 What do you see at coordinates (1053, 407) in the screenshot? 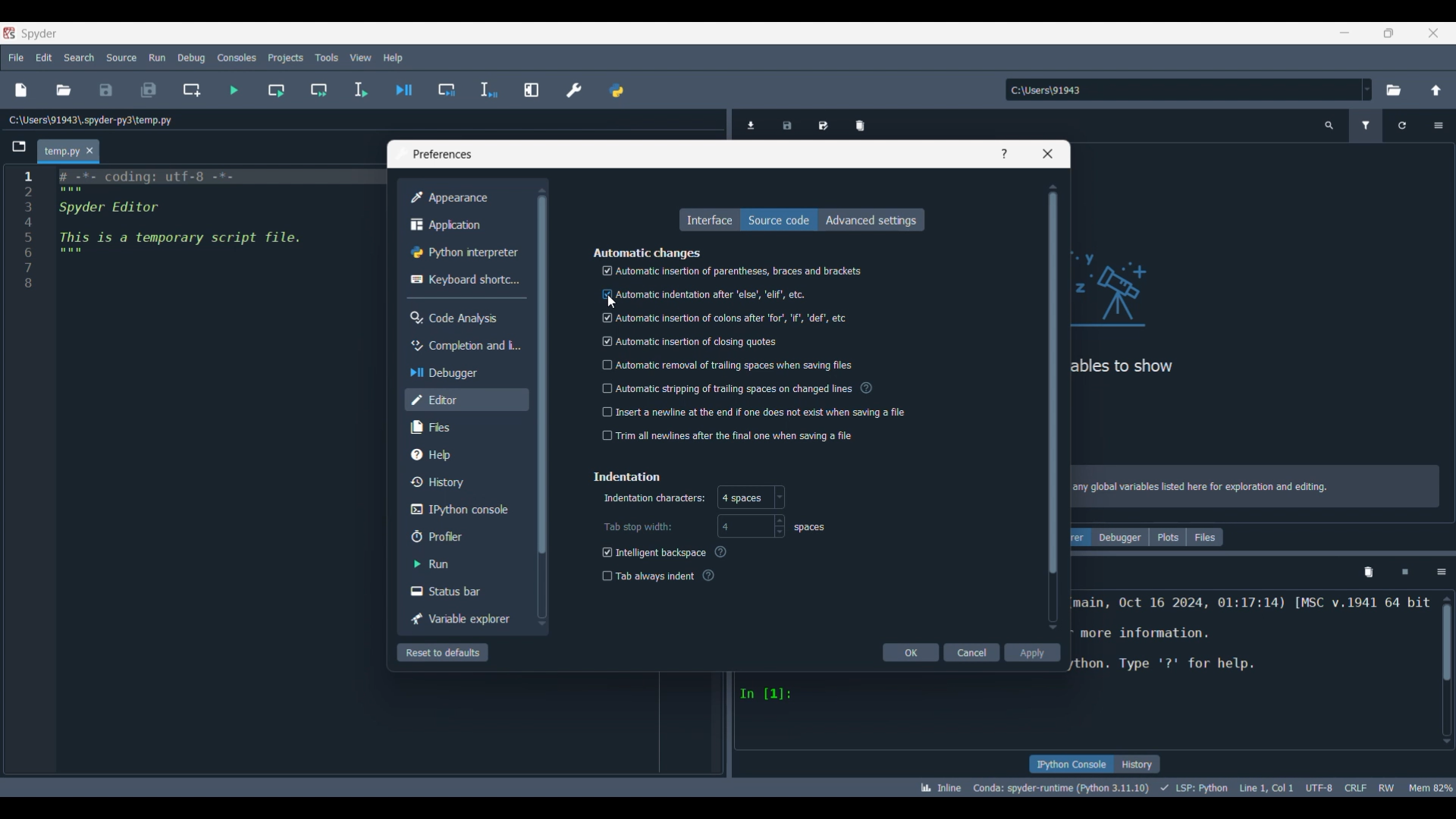
I see `Vertical slide bar` at bounding box center [1053, 407].